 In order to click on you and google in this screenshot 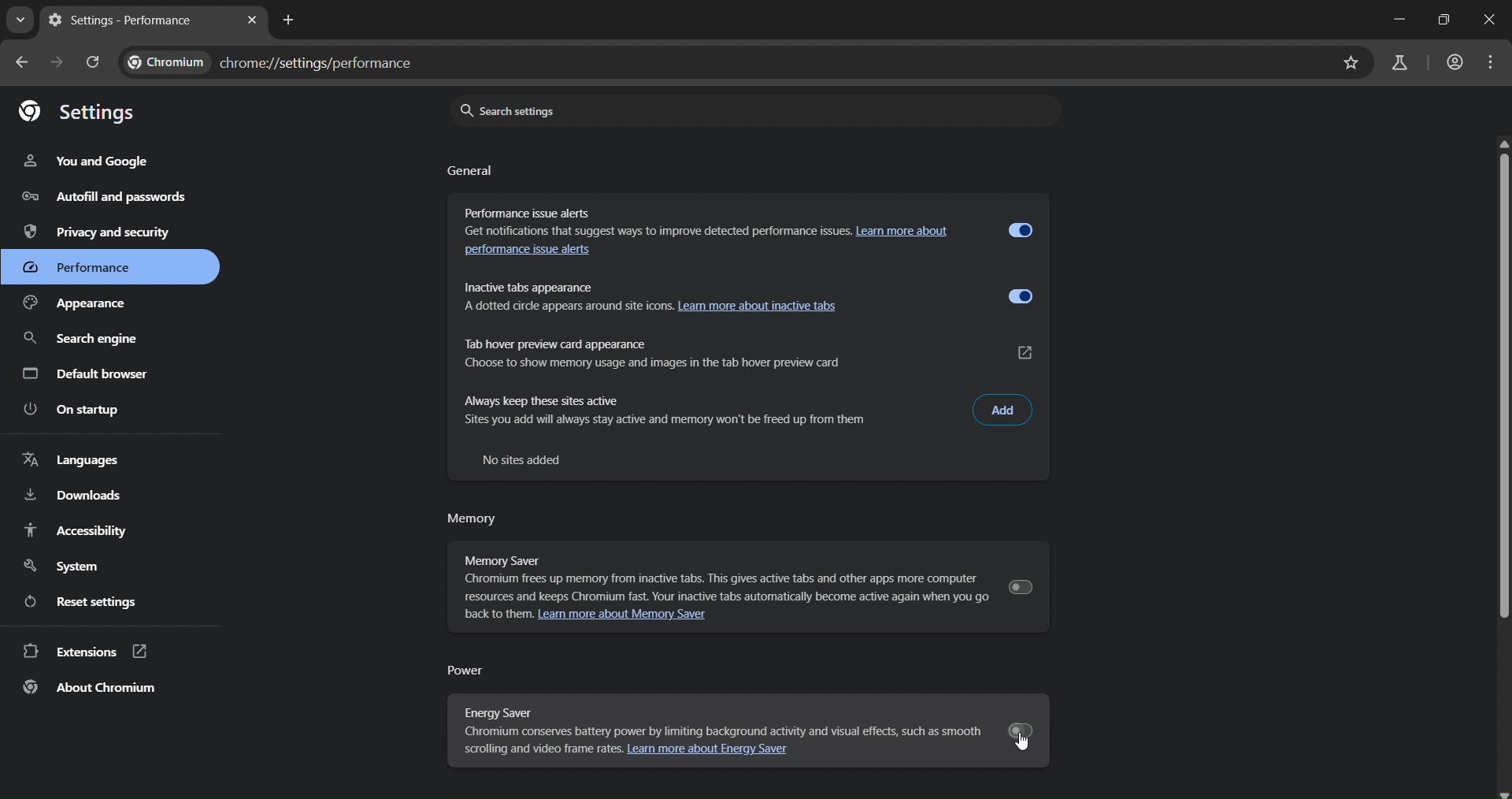, I will do `click(87, 162)`.